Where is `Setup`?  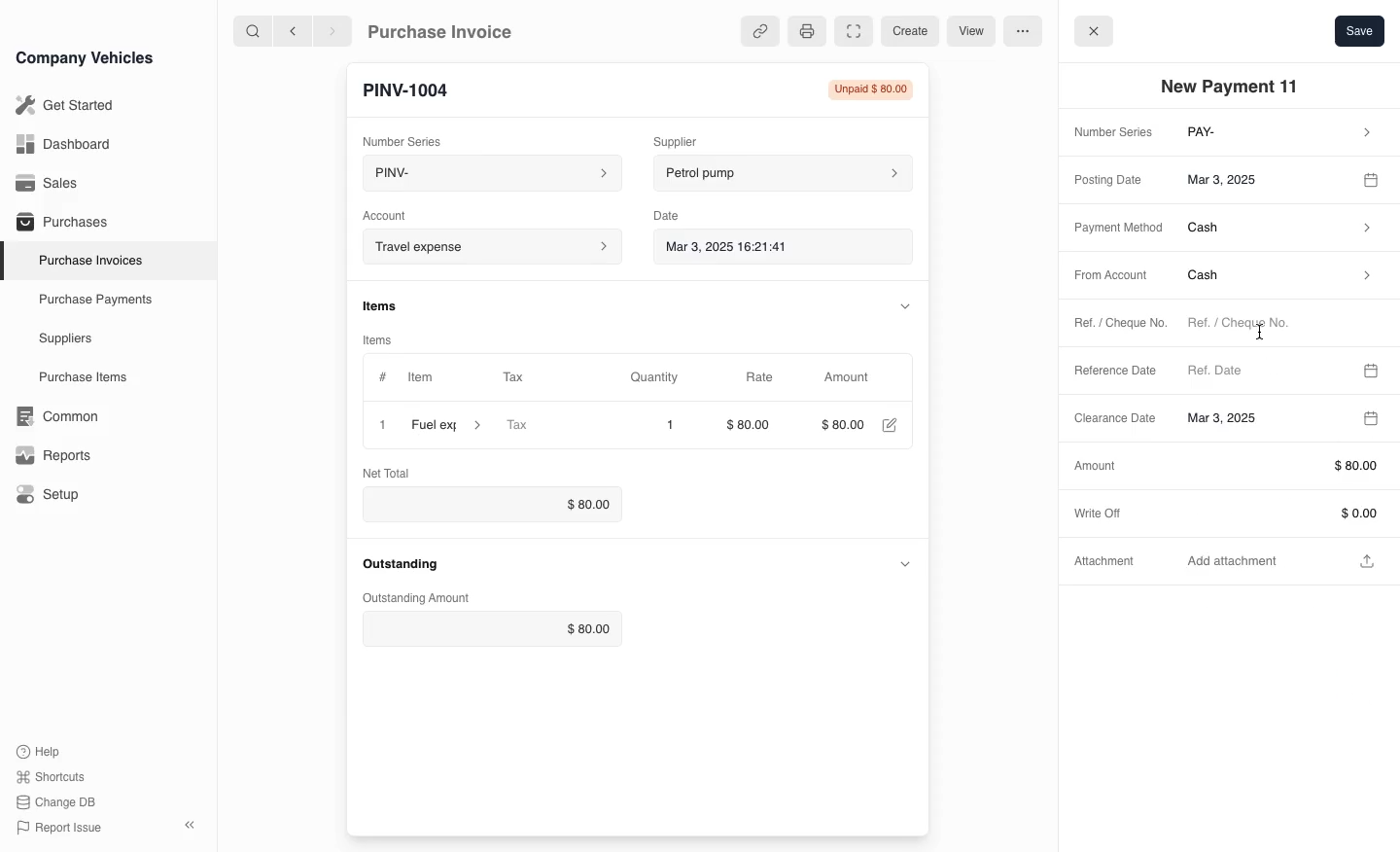
Setup is located at coordinates (52, 495).